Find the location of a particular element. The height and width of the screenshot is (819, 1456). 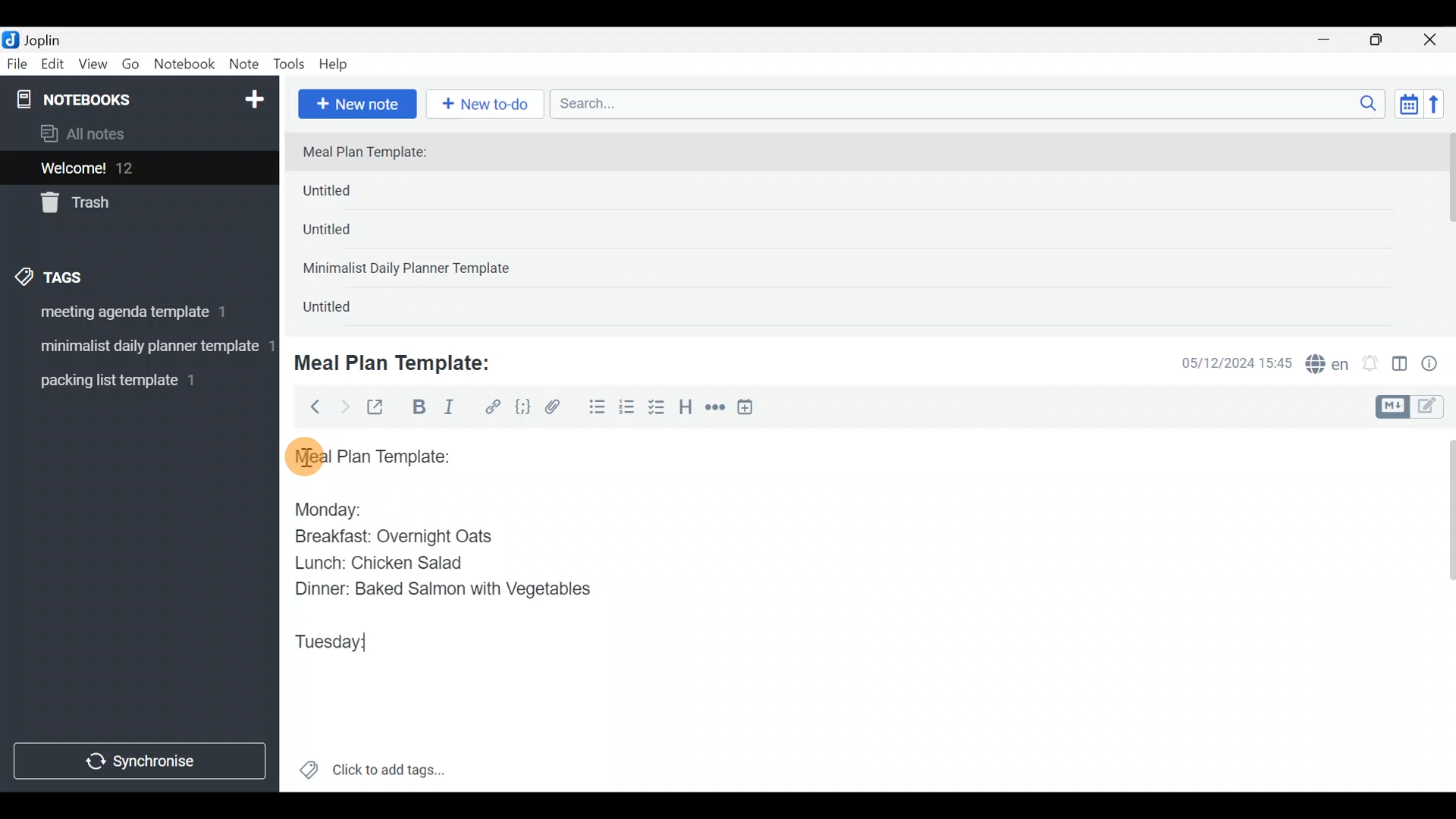

Checkbox is located at coordinates (658, 409).